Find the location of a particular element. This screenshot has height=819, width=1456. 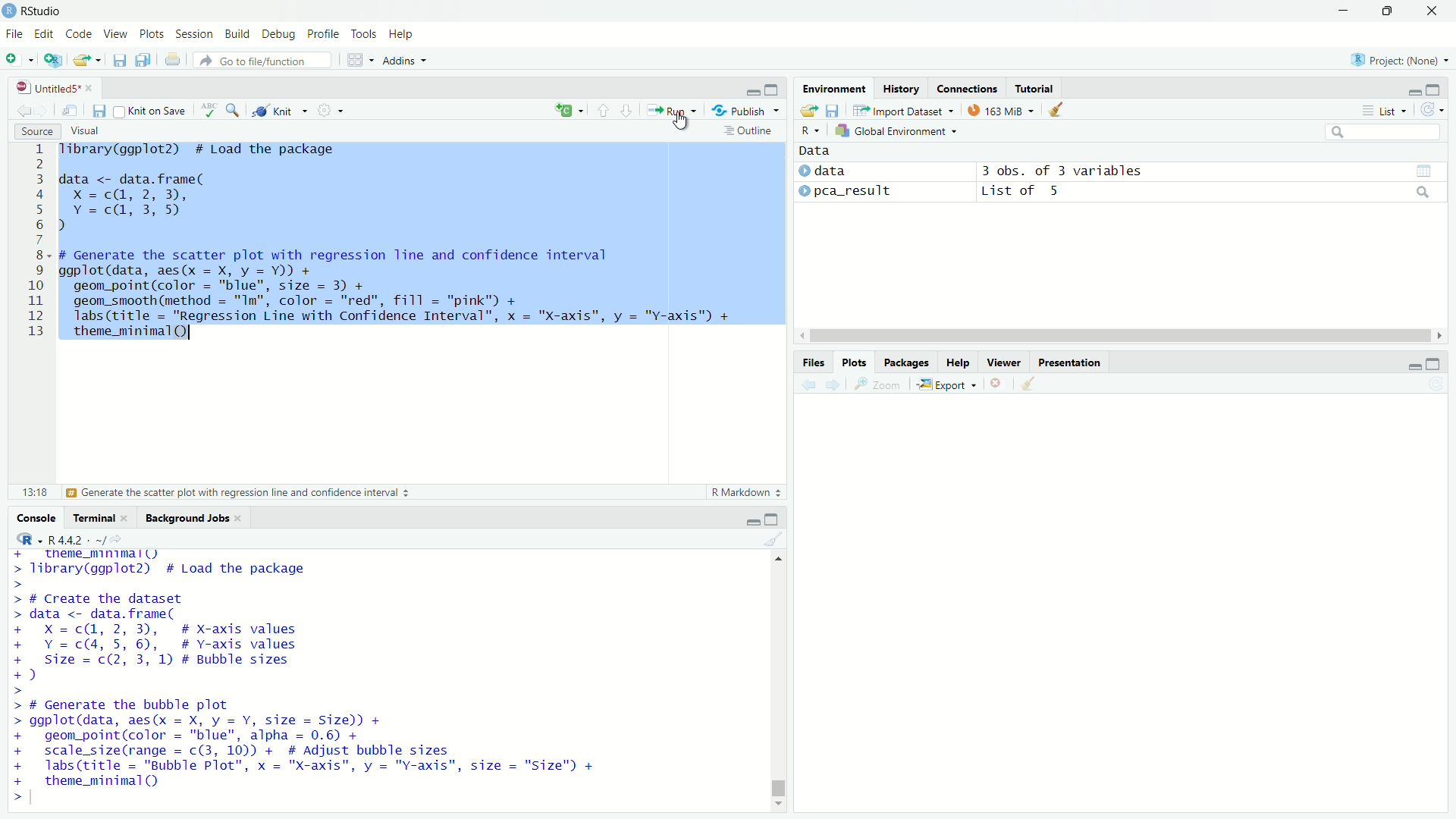

data is located at coordinates (833, 171).